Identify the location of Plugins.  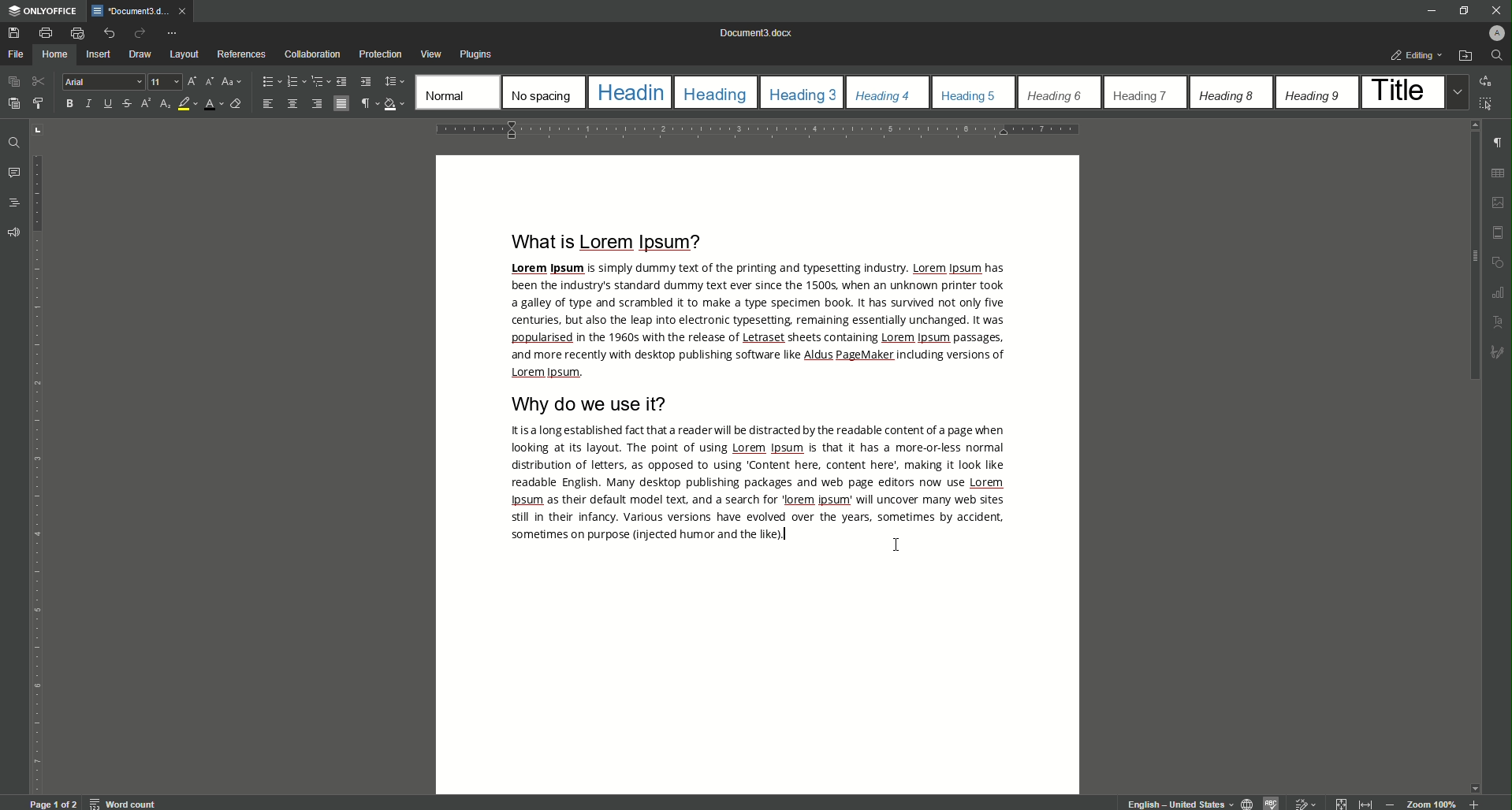
(478, 53).